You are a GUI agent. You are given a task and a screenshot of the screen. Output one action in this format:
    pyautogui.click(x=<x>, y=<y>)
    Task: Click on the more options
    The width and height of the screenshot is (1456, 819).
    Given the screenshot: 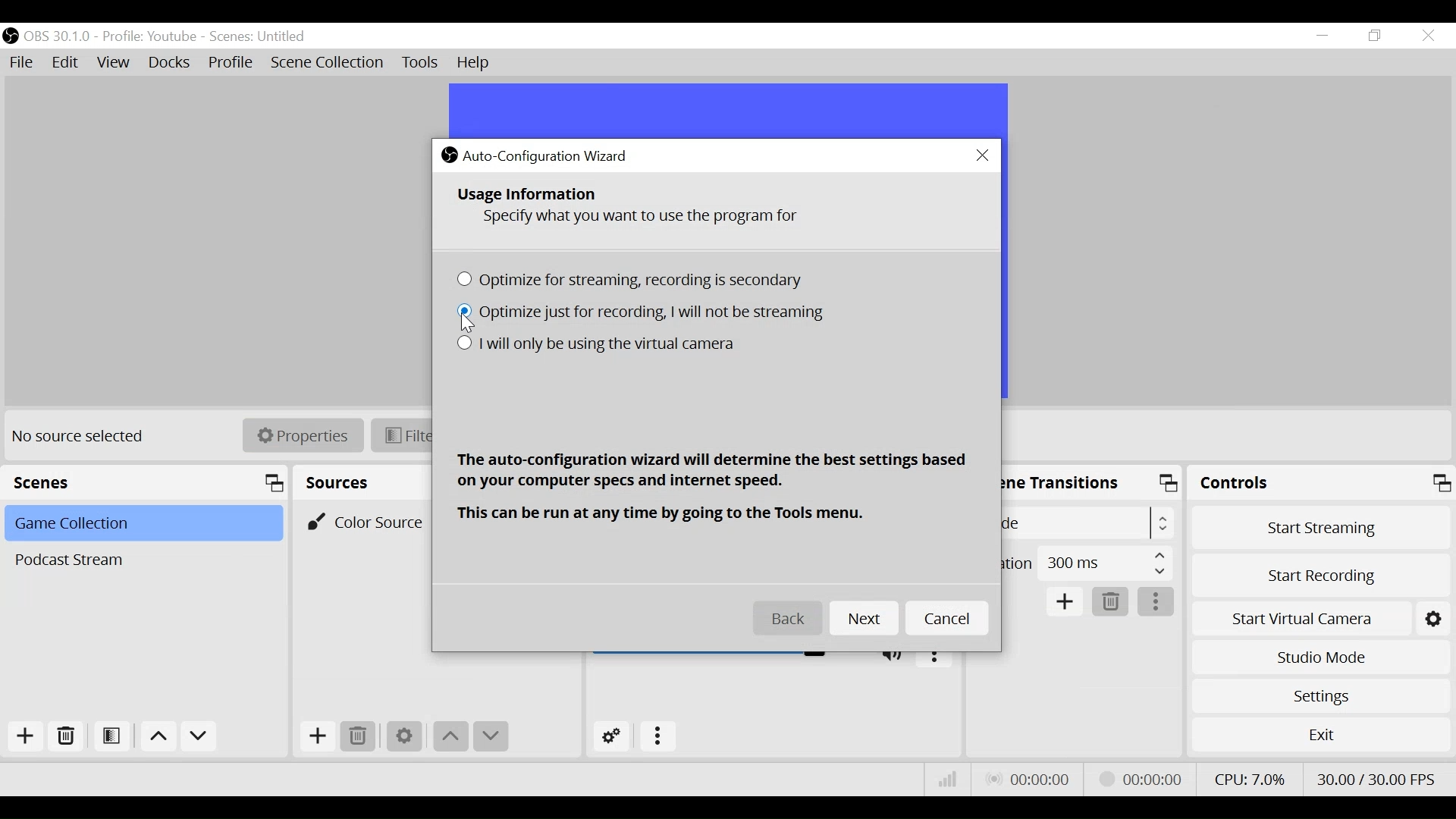 What is the action you would take?
    pyautogui.click(x=659, y=738)
    